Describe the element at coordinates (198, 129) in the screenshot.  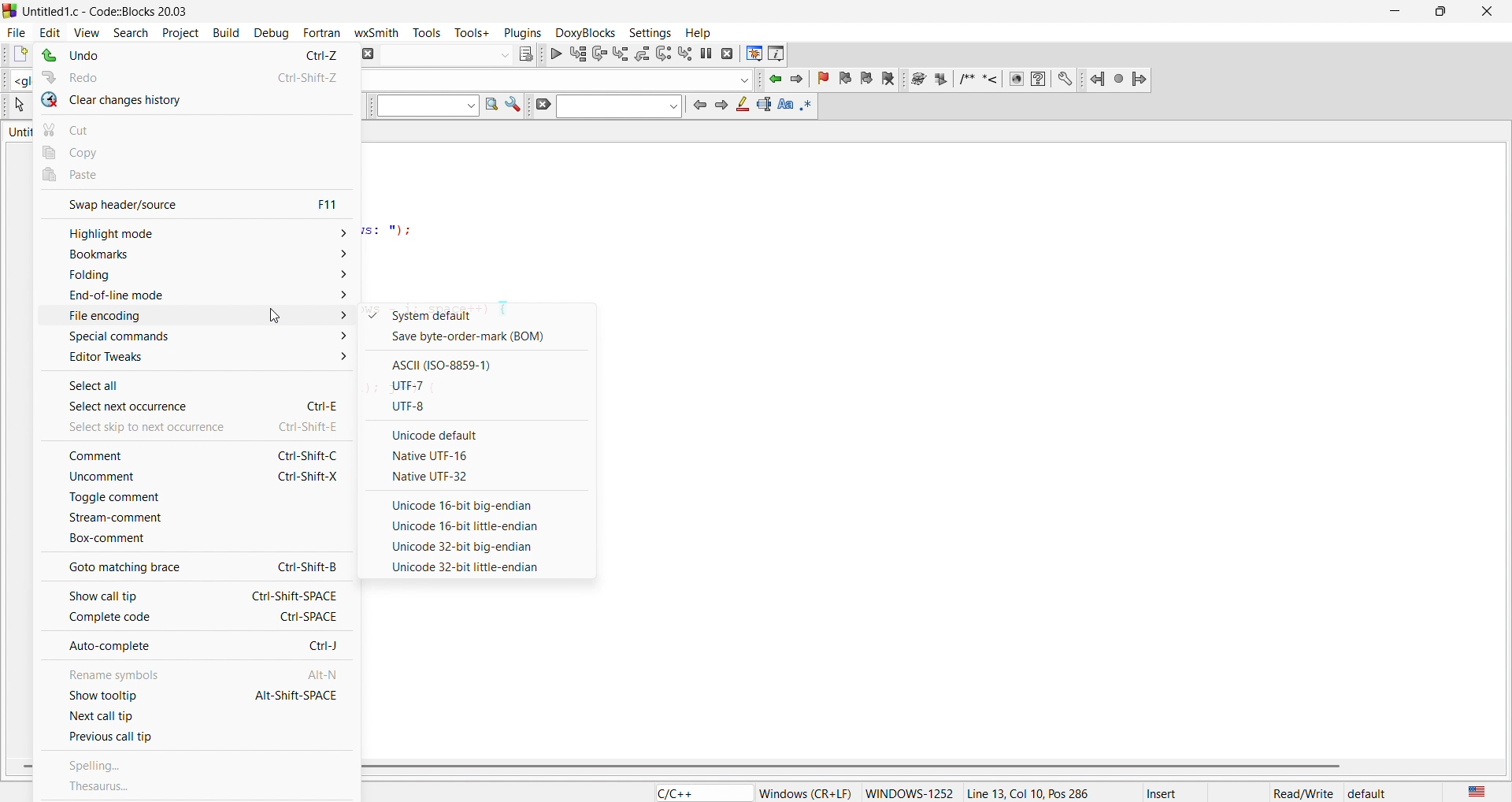
I see `cut` at that location.